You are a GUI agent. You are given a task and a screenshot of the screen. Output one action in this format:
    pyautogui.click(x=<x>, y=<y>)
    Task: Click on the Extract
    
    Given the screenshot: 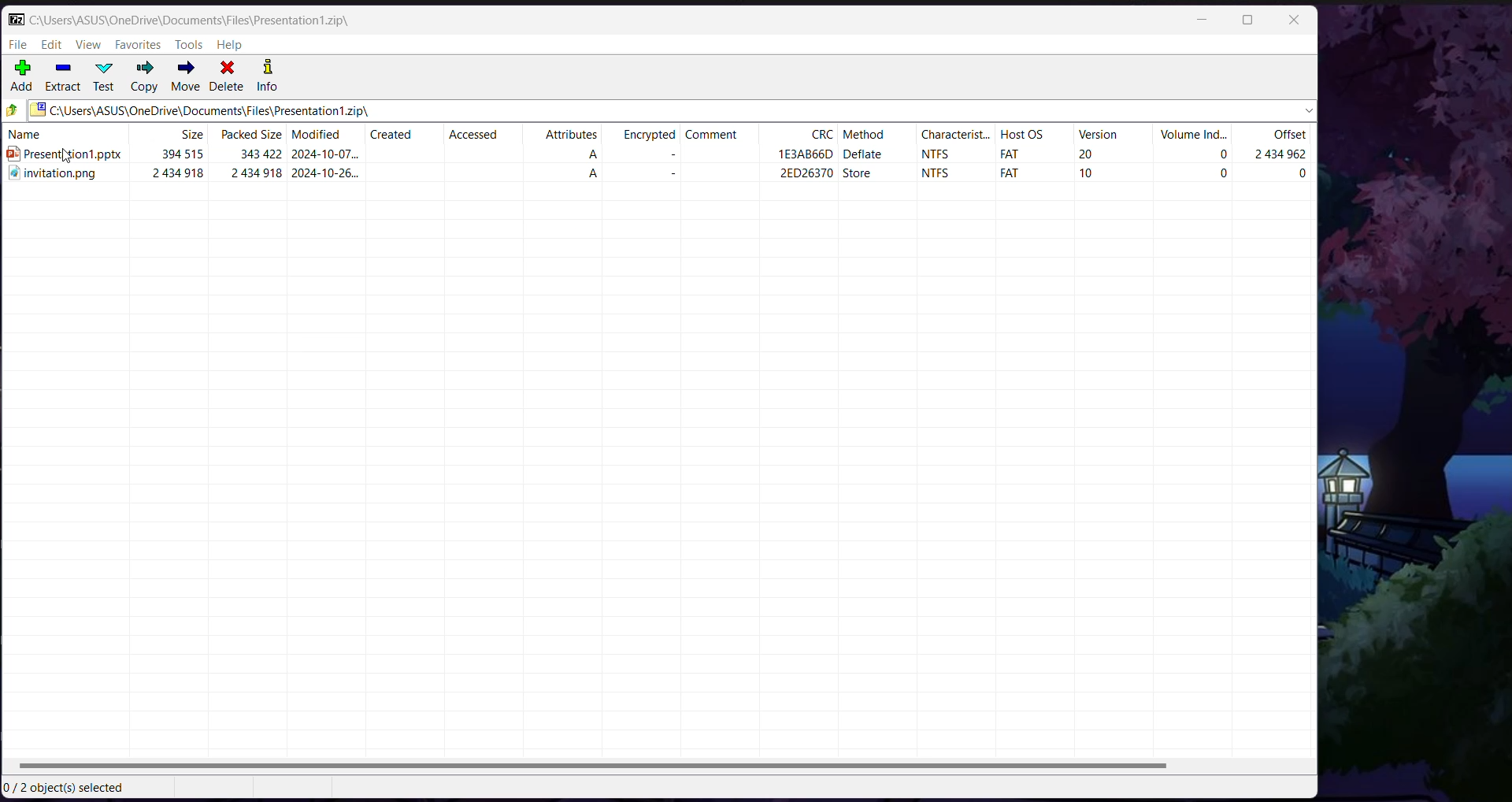 What is the action you would take?
    pyautogui.click(x=64, y=78)
    